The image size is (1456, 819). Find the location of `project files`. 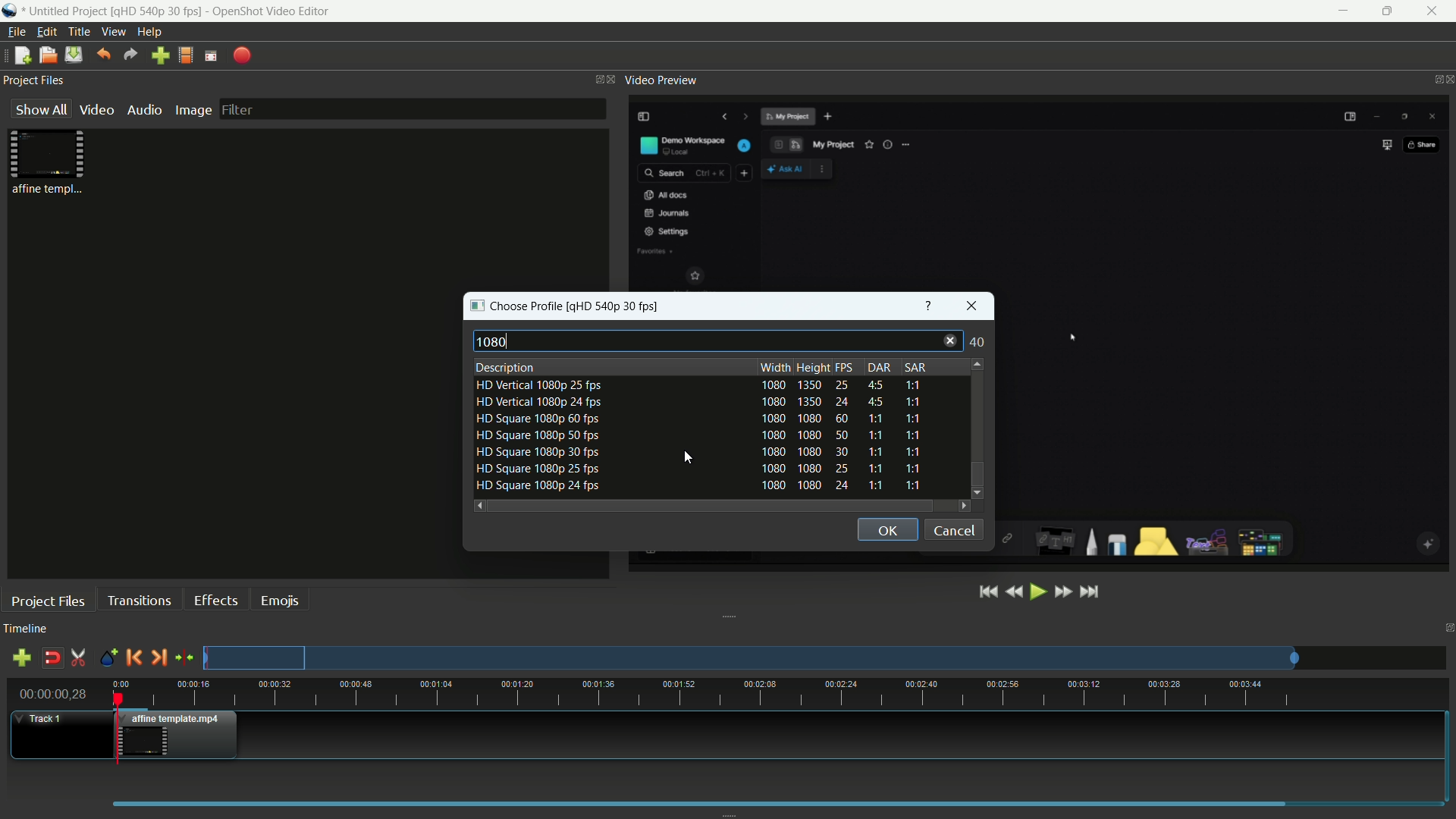

project files is located at coordinates (34, 80).